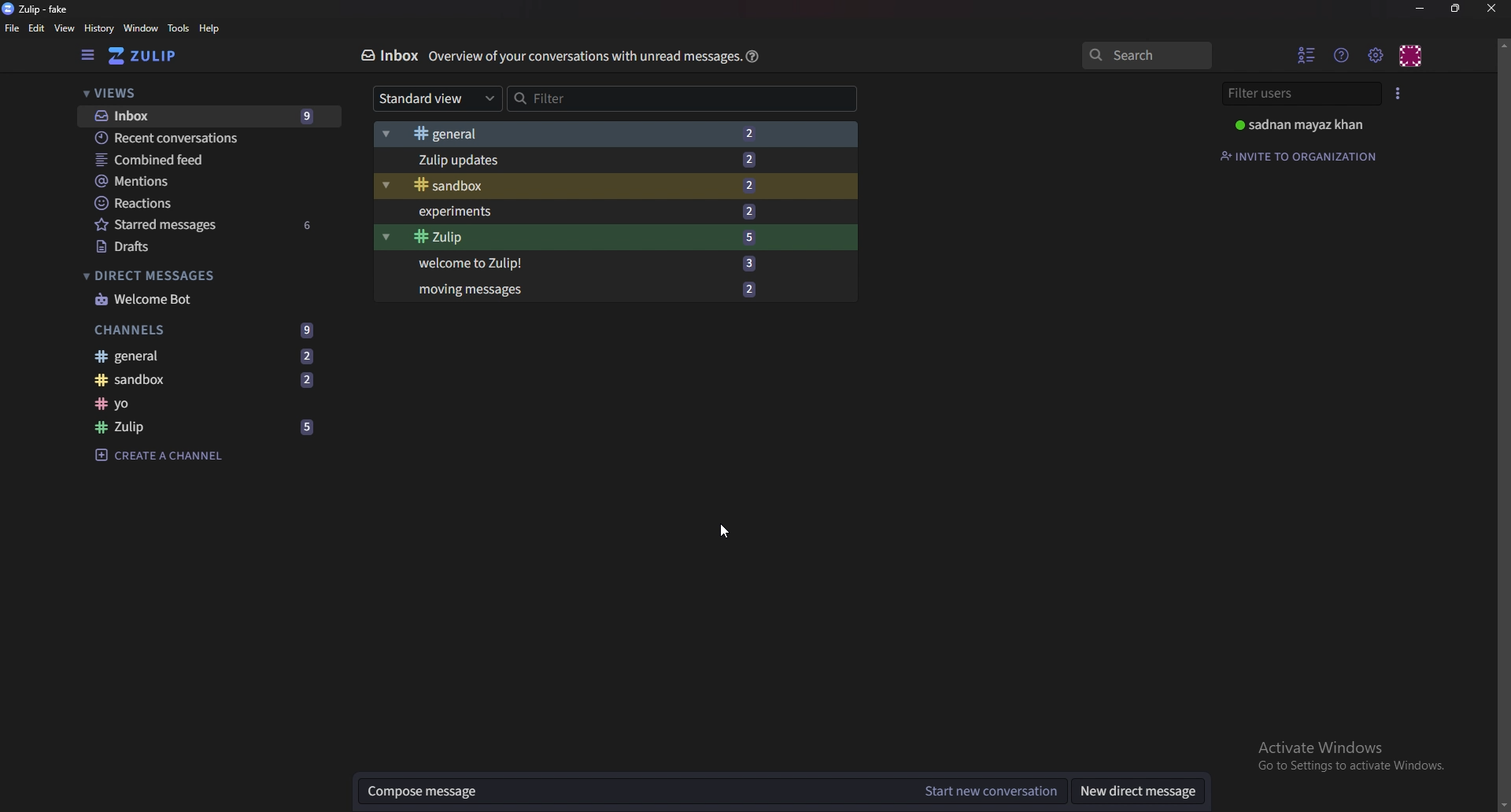 The width and height of the screenshot is (1511, 812). Describe the element at coordinates (212, 161) in the screenshot. I see `Combined feed` at that location.